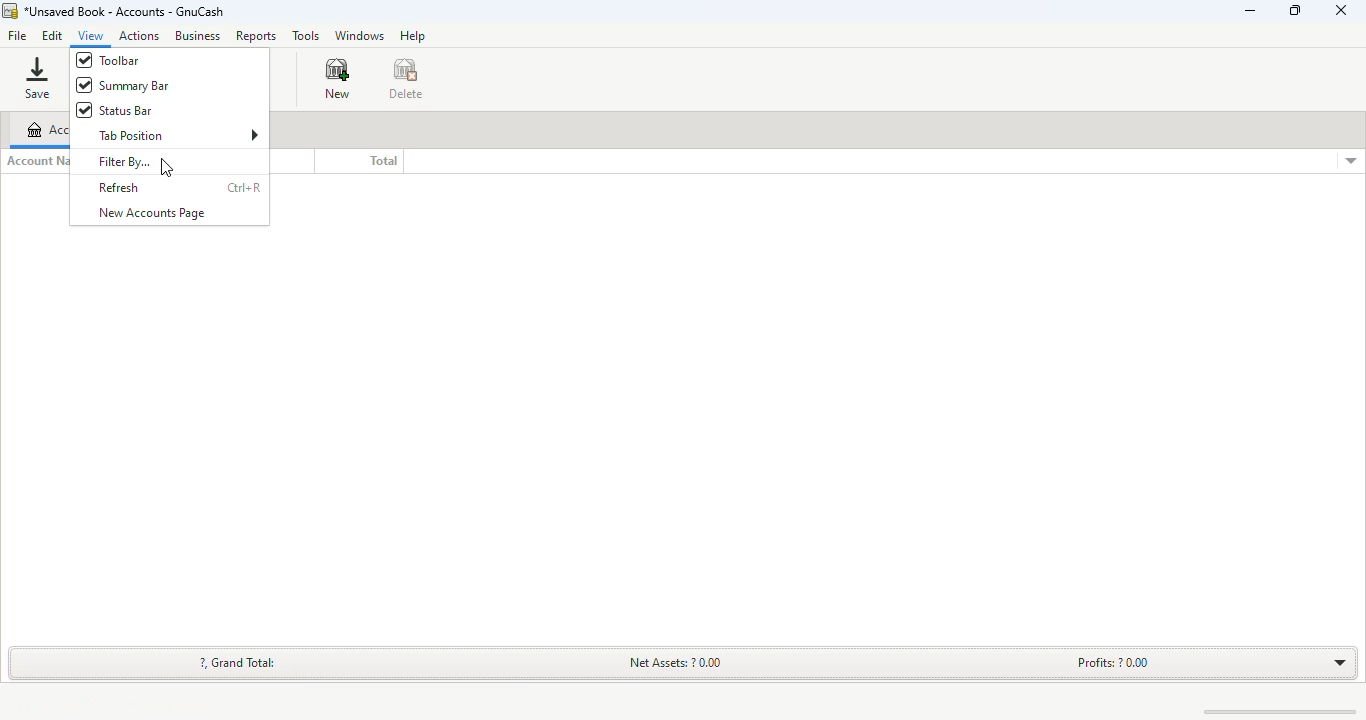  Describe the element at coordinates (124, 11) in the screenshot. I see `title` at that location.